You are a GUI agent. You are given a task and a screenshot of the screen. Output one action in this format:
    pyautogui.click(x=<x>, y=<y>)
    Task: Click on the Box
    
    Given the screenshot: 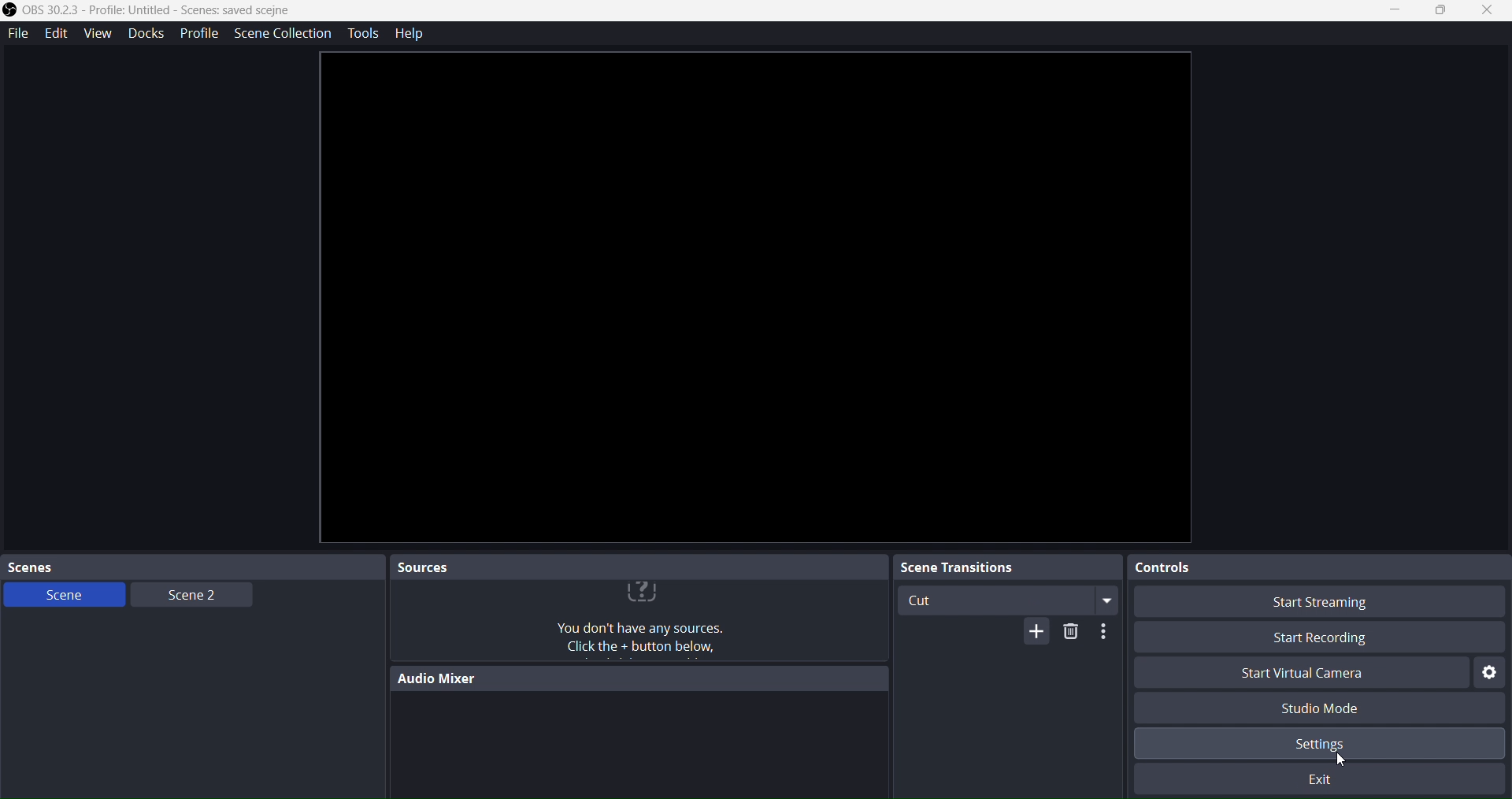 What is the action you would take?
    pyautogui.click(x=1443, y=11)
    